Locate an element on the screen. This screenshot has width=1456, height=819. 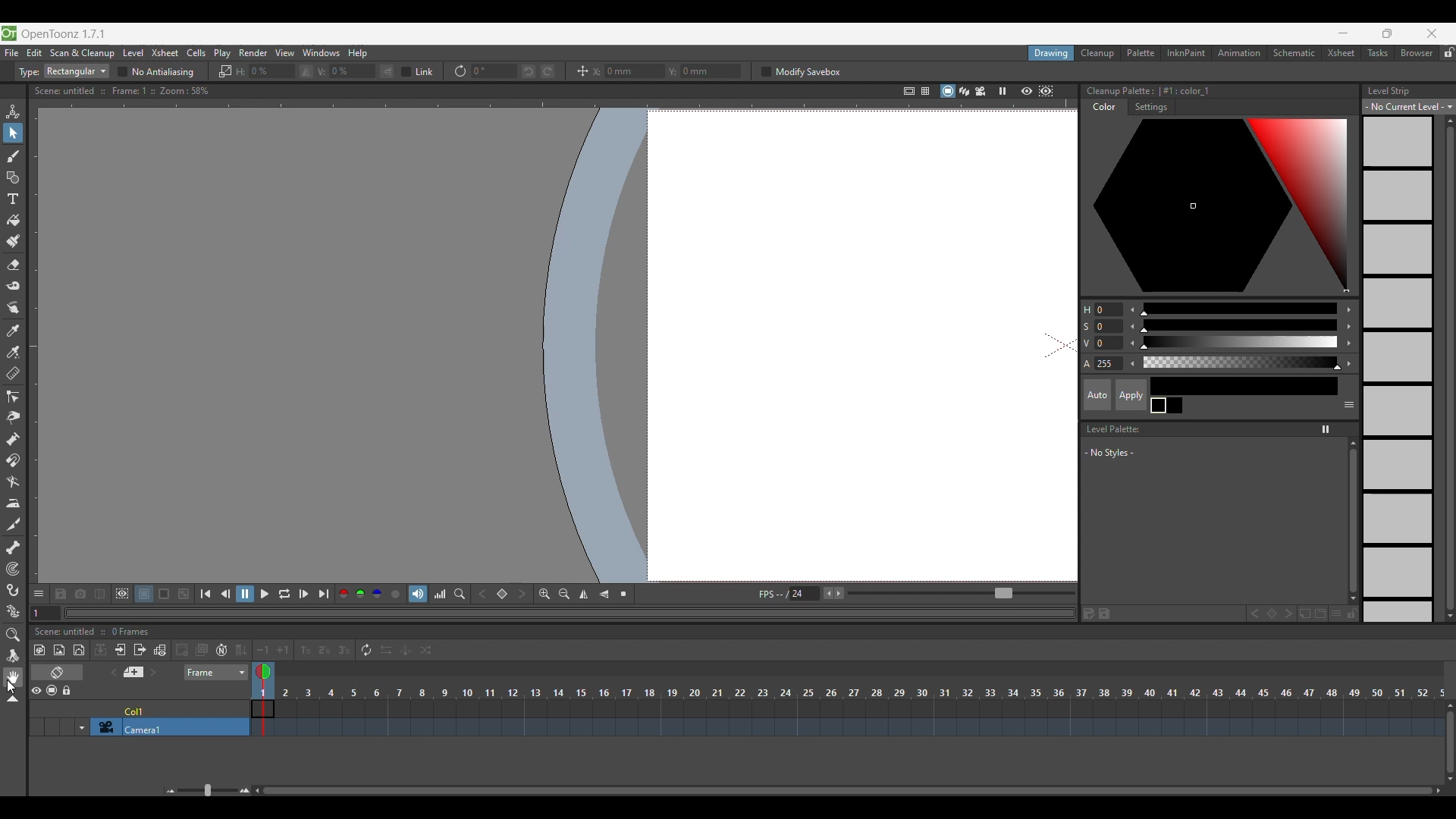
Link is located at coordinates (416, 71).